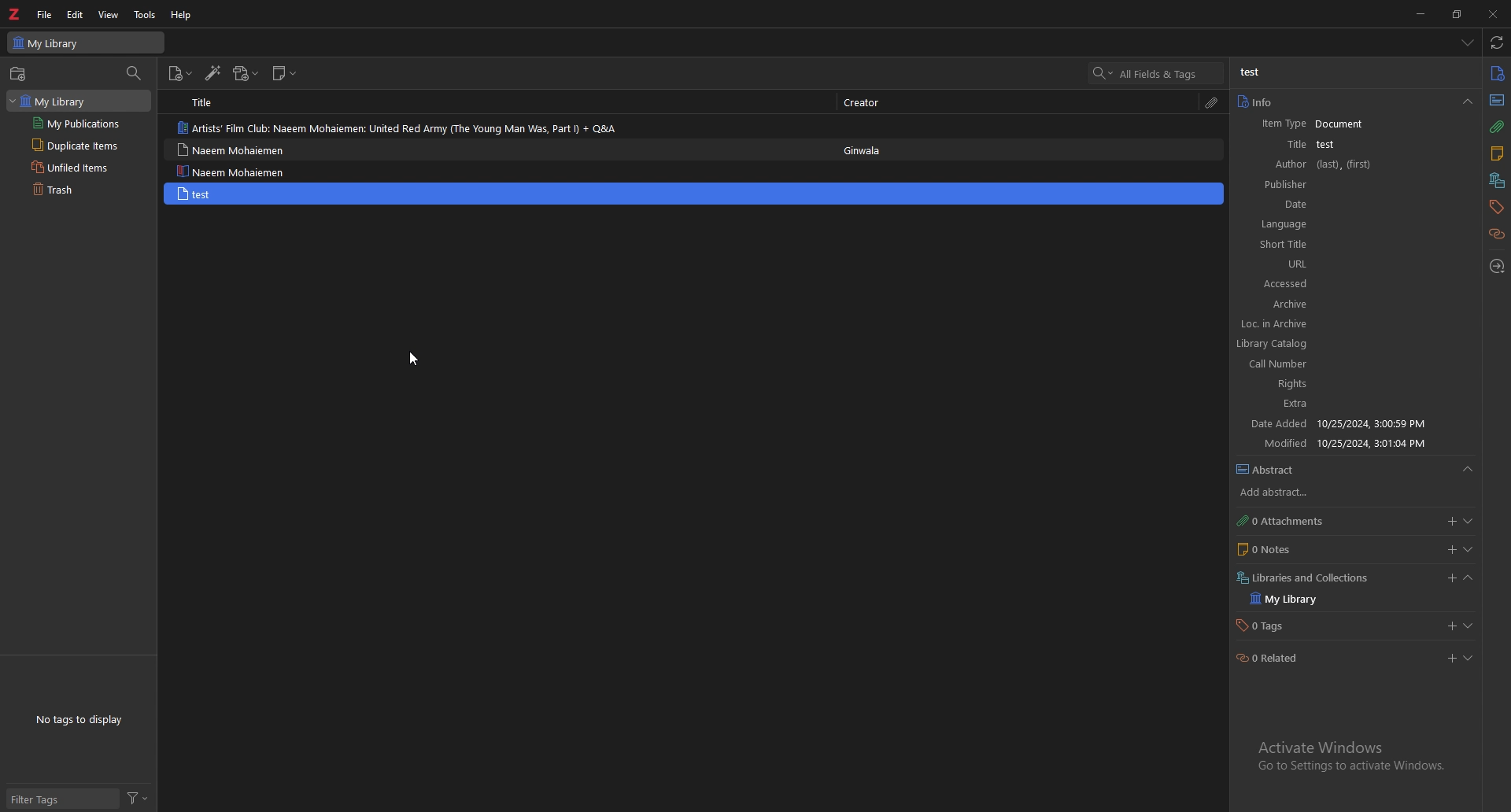 The height and width of the screenshot is (812, 1511). What do you see at coordinates (1496, 206) in the screenshot?
I see `tags` at bounding box center [1496, 206].